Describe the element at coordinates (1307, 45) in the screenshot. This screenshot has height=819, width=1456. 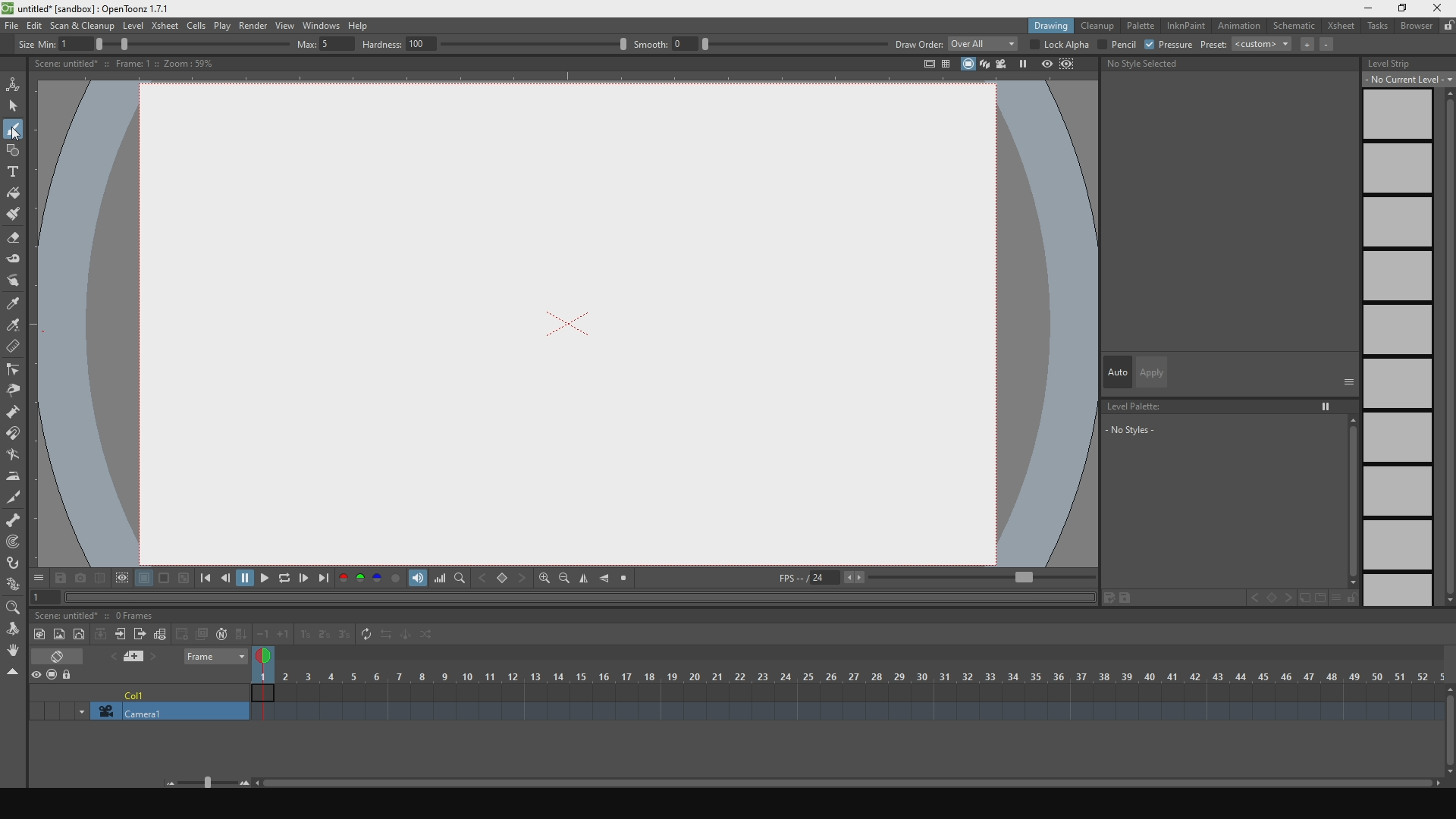
I see `` at that location.